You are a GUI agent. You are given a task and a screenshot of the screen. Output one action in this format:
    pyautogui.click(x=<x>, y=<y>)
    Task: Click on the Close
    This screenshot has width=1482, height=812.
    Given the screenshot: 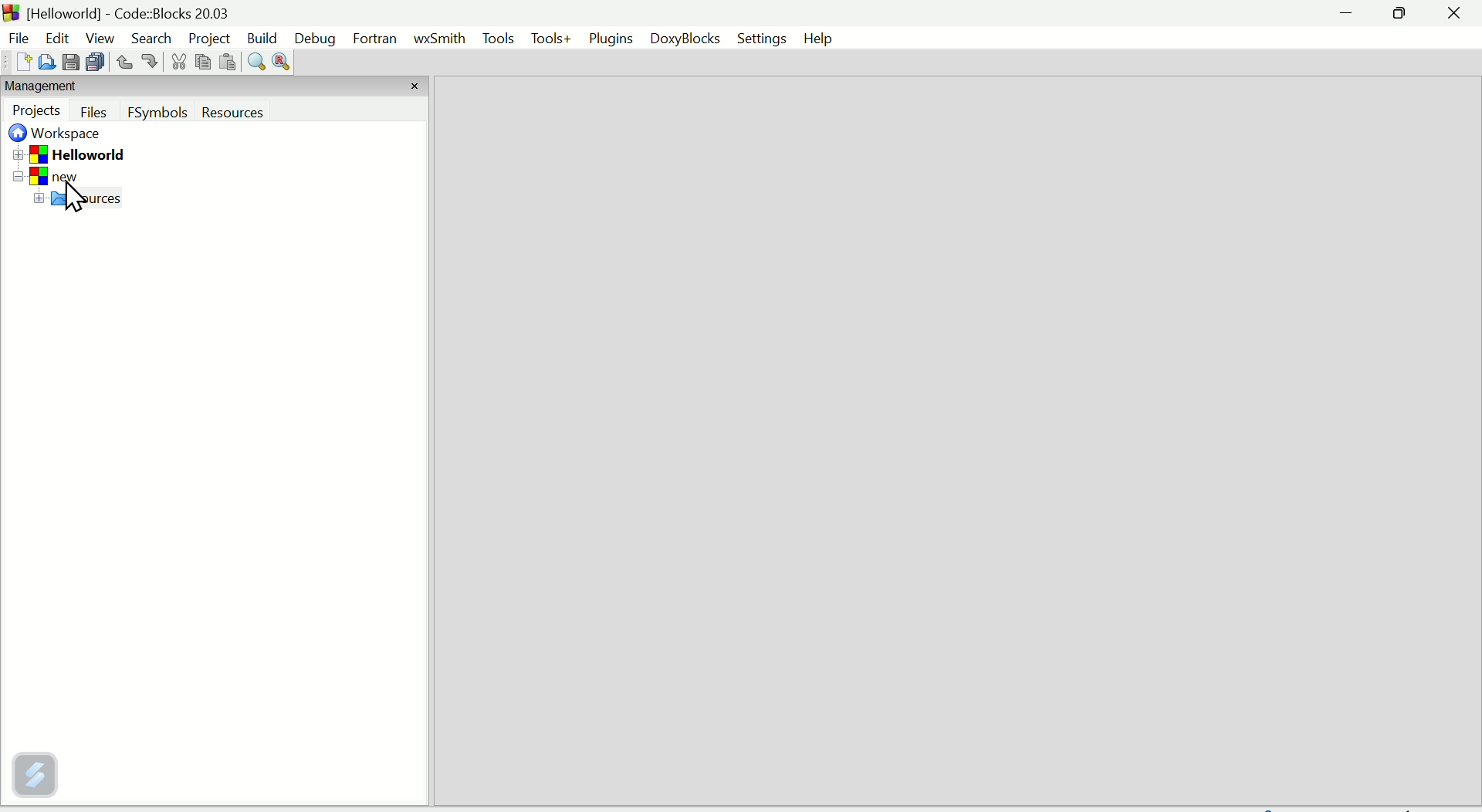 What is the action you would take?
    pyautogui.click(x=1453, y=18)
    